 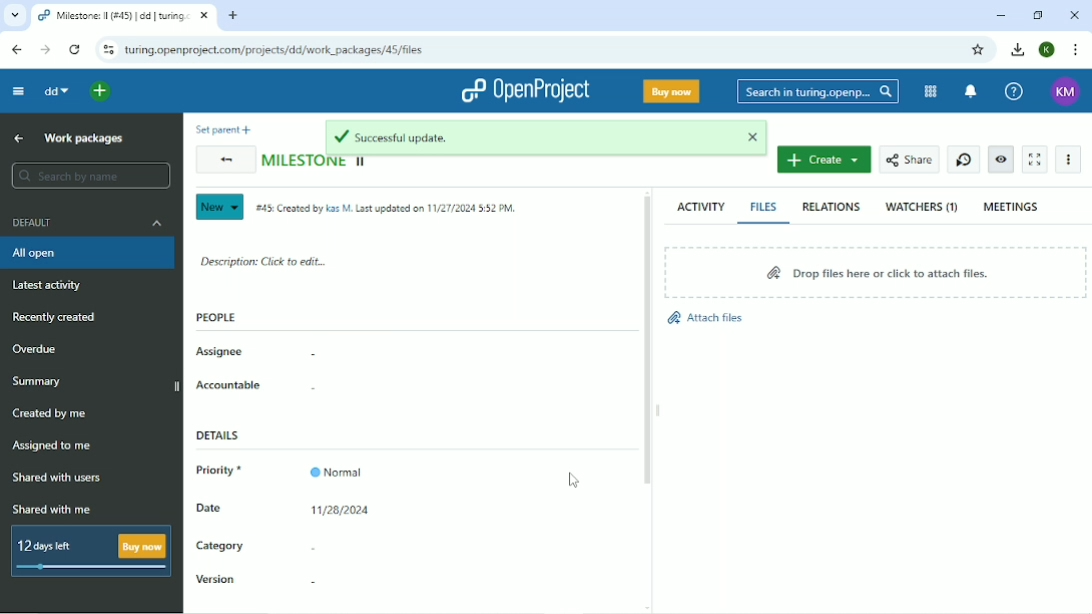 I want to click on -, so click(x=306, y=356).